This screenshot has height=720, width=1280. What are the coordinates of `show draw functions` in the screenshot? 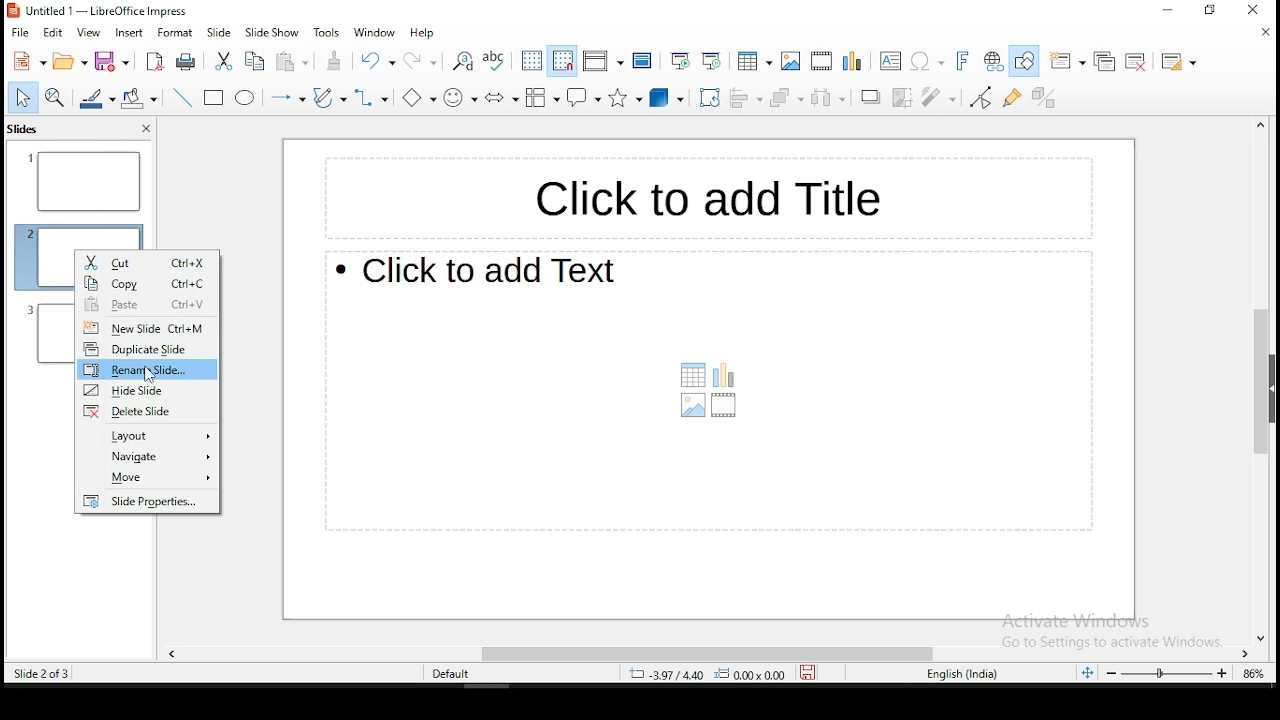 It's located at (1024, 60).